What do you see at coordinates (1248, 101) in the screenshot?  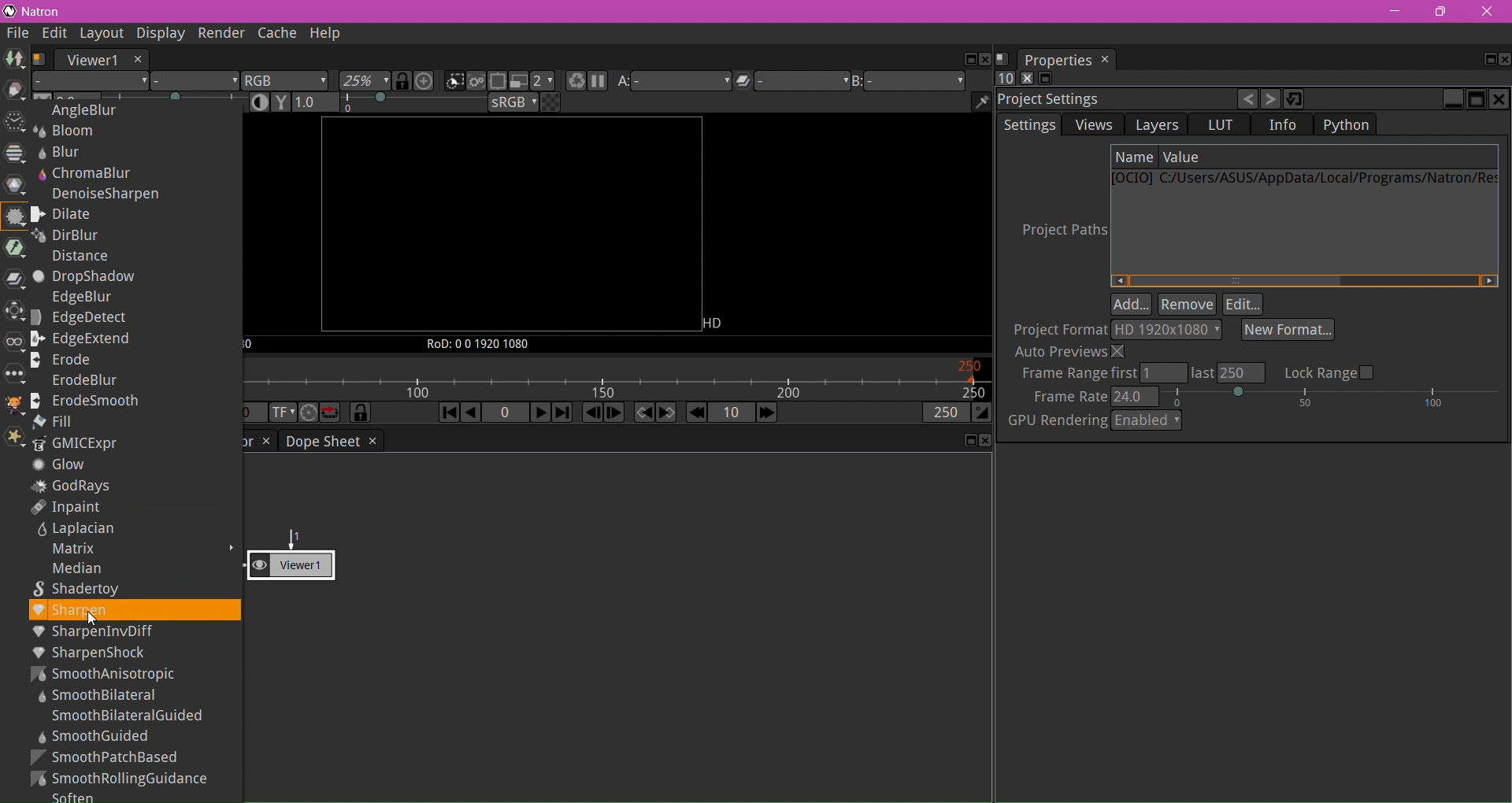 I see `Undo the last change made to this operator` at bounding box center [1248, 101].